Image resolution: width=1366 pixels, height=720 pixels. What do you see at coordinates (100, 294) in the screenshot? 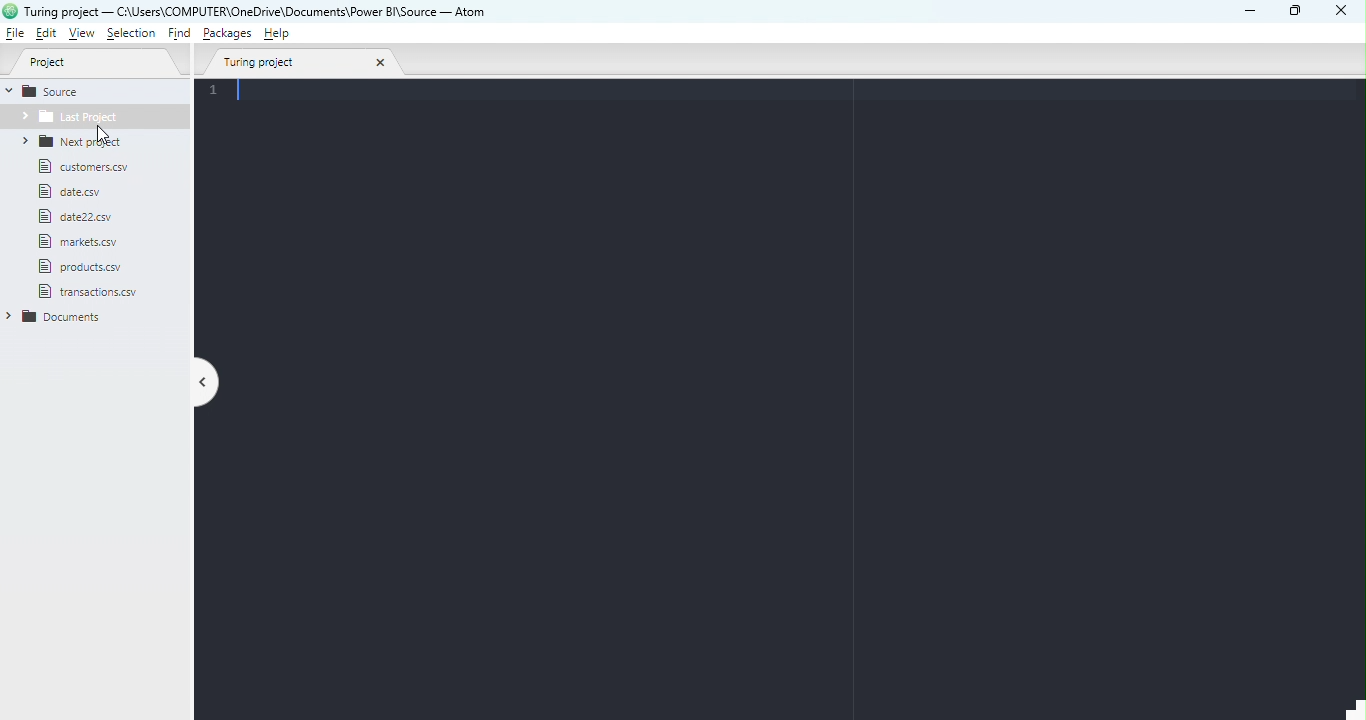
I see `file` at bounding box center [100, 294].